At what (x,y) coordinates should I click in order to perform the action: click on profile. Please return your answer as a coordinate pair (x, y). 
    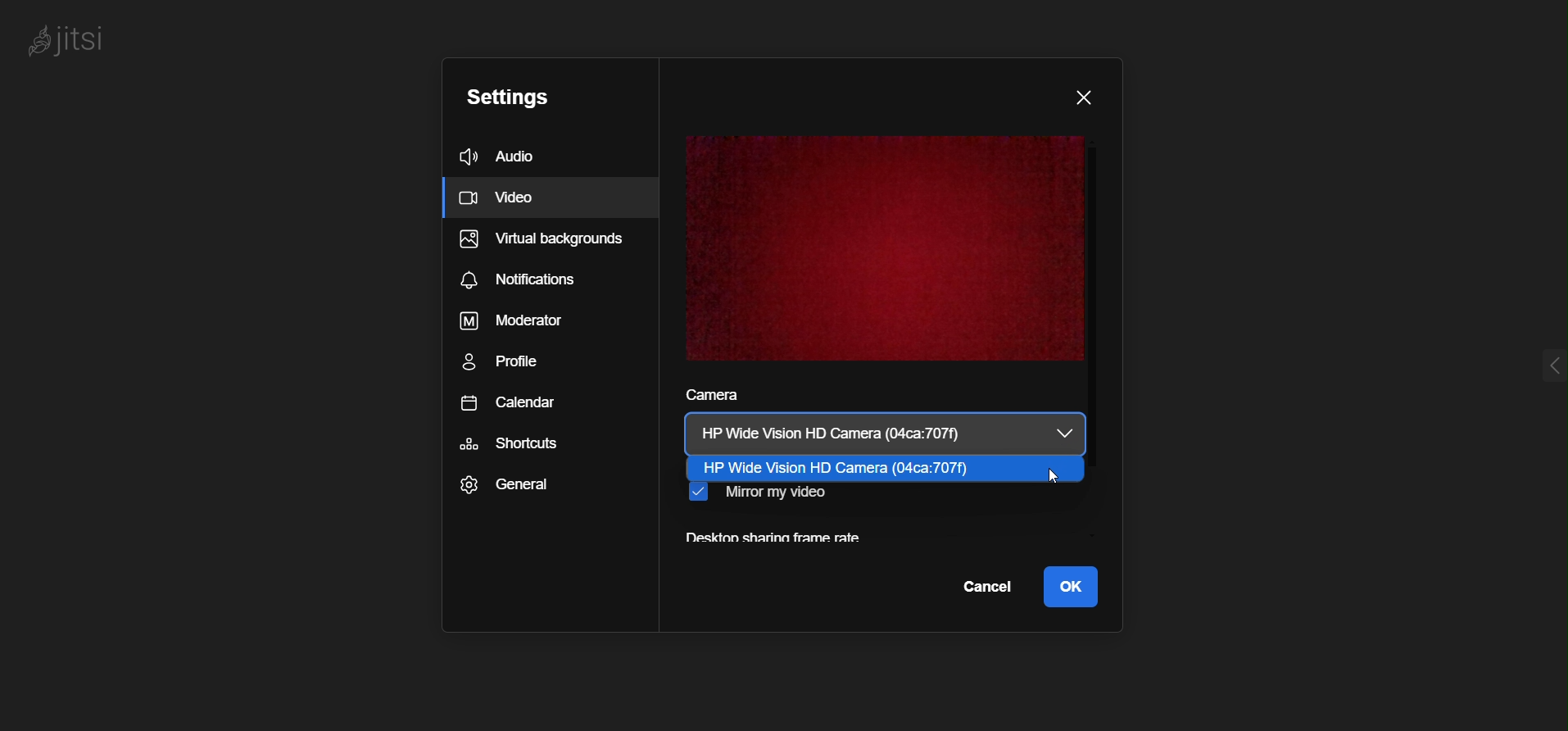
    Looking at the image, I should click on (518, 366).